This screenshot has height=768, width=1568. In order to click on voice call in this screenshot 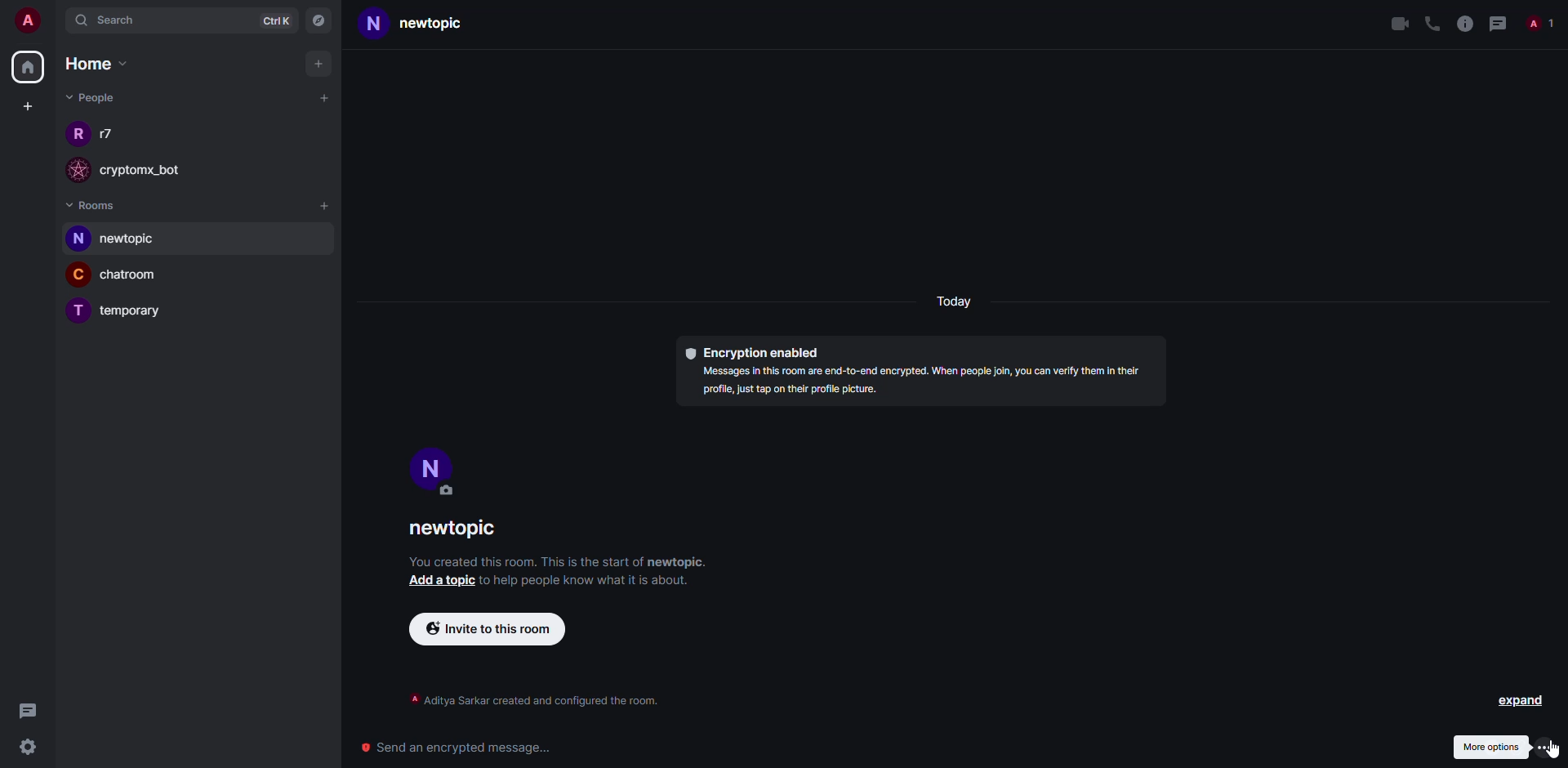, I will do `click(1429, 23)`.